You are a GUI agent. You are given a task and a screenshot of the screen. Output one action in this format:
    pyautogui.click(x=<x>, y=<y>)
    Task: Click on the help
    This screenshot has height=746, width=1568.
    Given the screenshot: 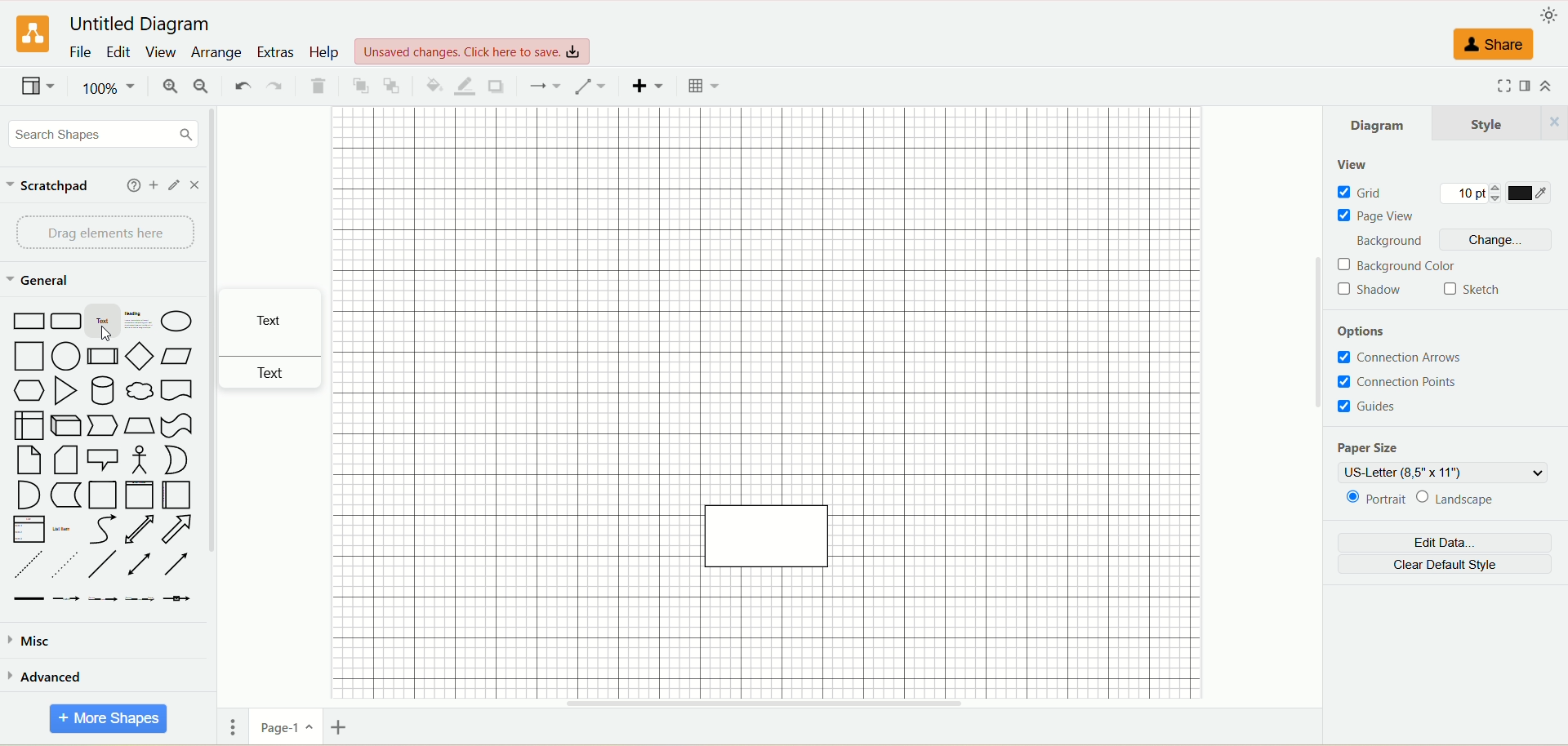 What is the action you would take?
    pyautogui.click(x=128, y=186)
    